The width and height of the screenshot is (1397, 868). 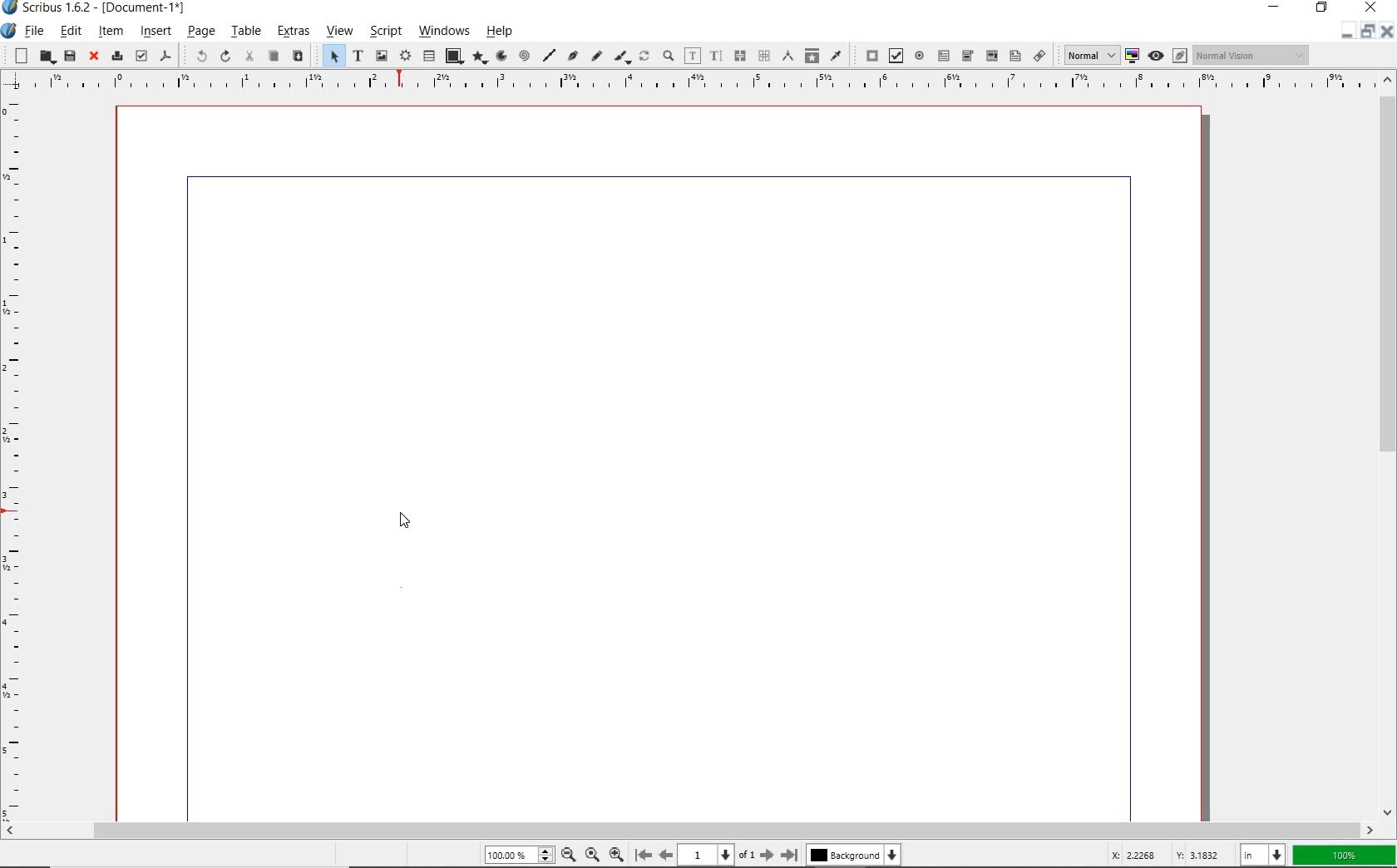 What do you see at coordinates (357, 57) in the screenshot?
I see `text frame` at bounding box center [357, 57].